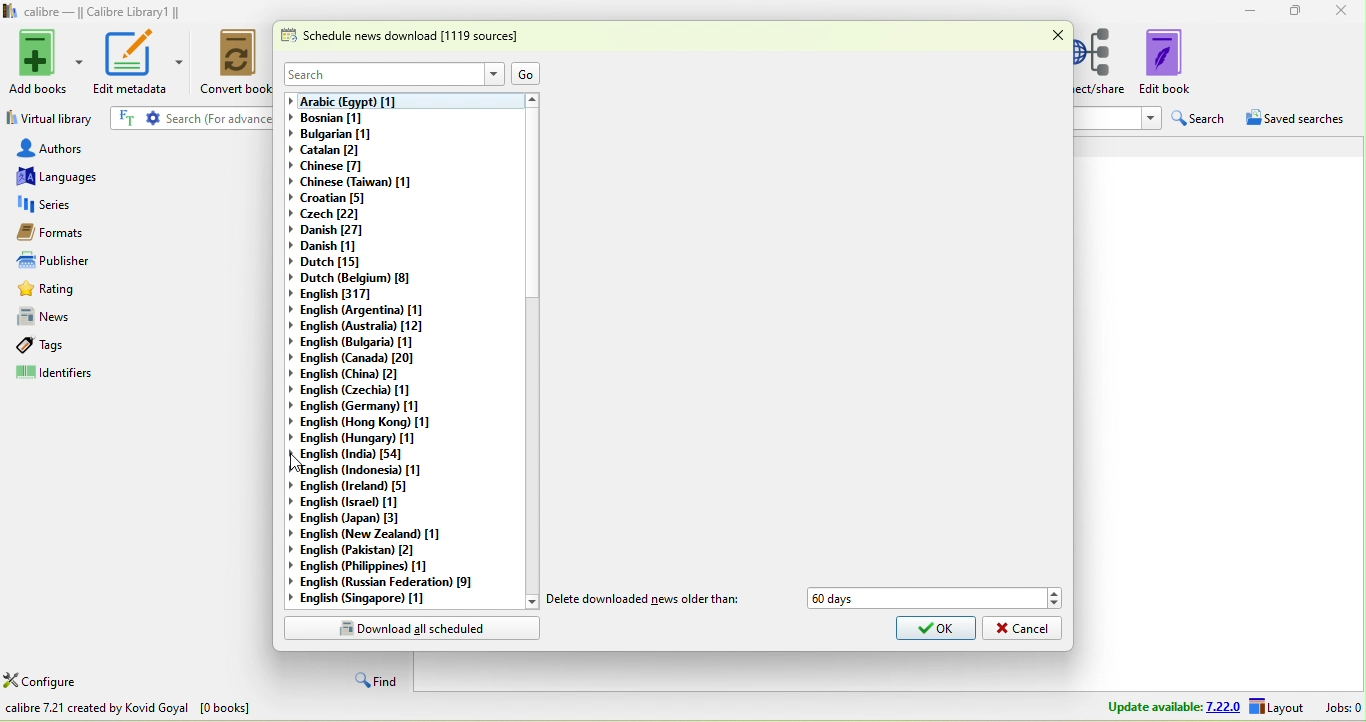 The width and height of the screenshot is (1366, 722). I want to click on vertical scroll bar, so click(531, 352).